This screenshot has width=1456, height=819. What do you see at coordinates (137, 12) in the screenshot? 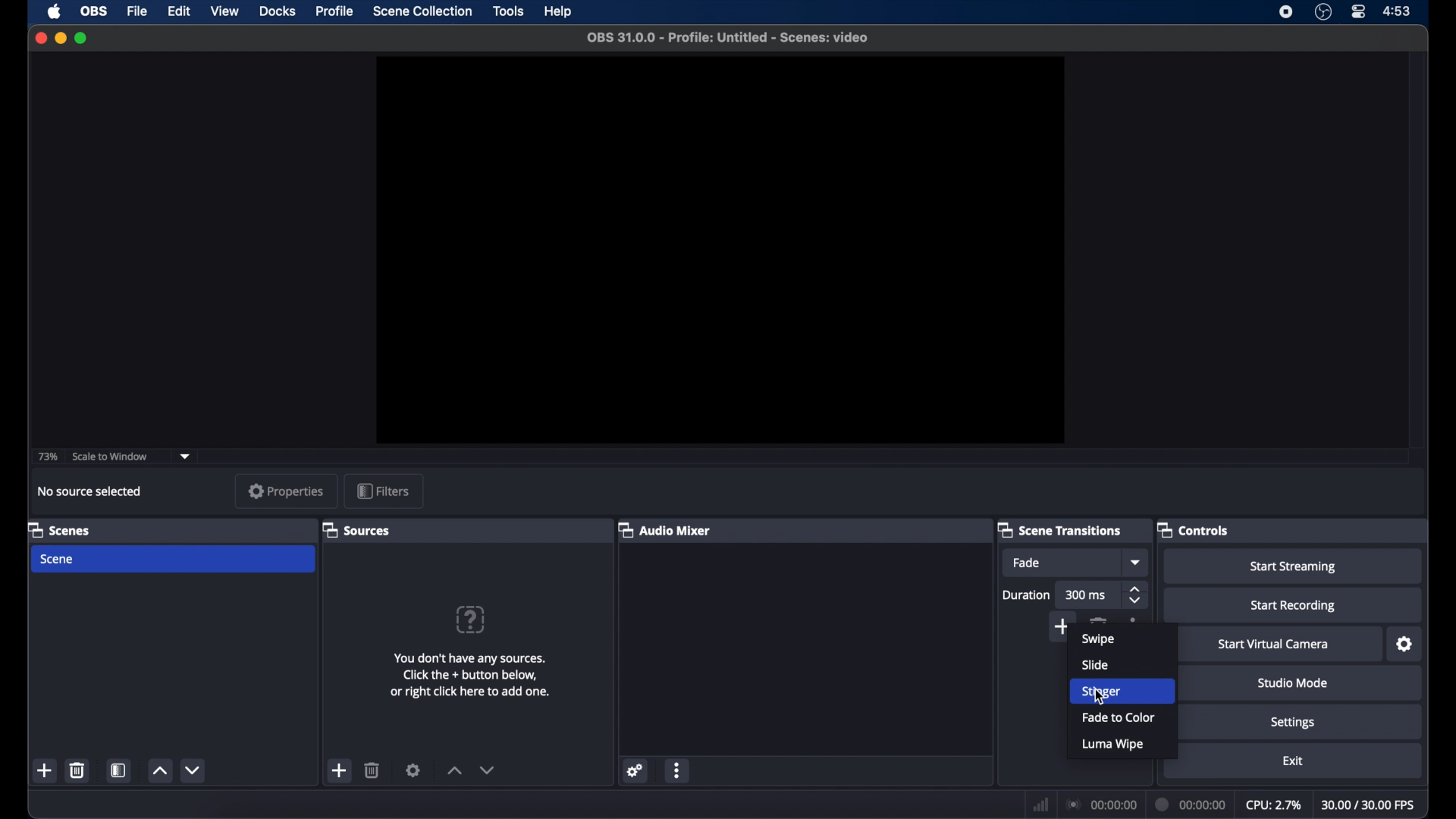
I see `file` at bounding box center [137, 12].